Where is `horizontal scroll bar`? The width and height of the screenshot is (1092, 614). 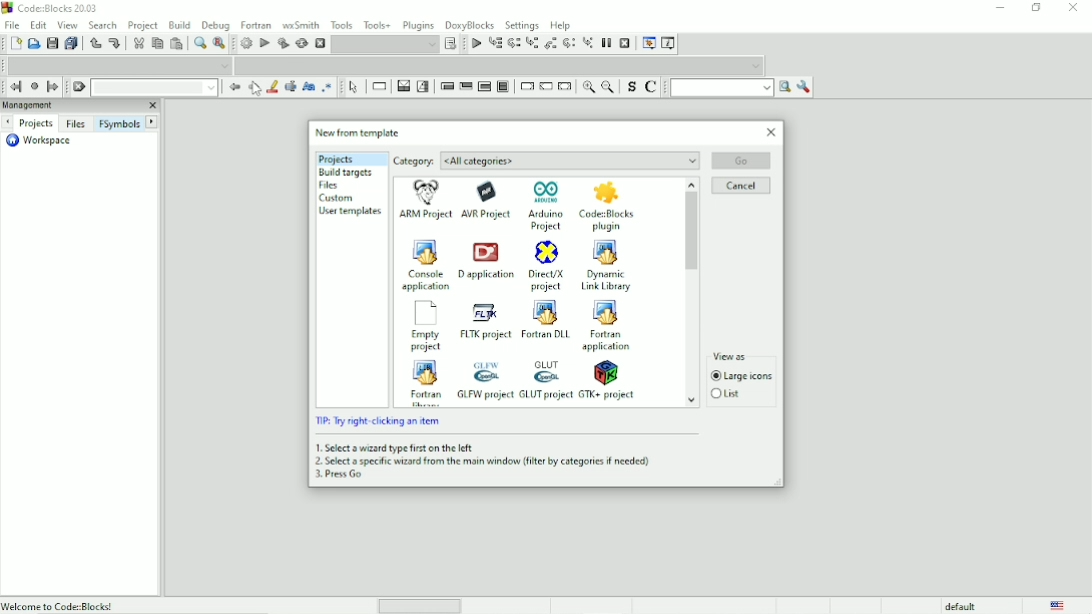
horizontal scroll bar is located at coordinates (424, 605).